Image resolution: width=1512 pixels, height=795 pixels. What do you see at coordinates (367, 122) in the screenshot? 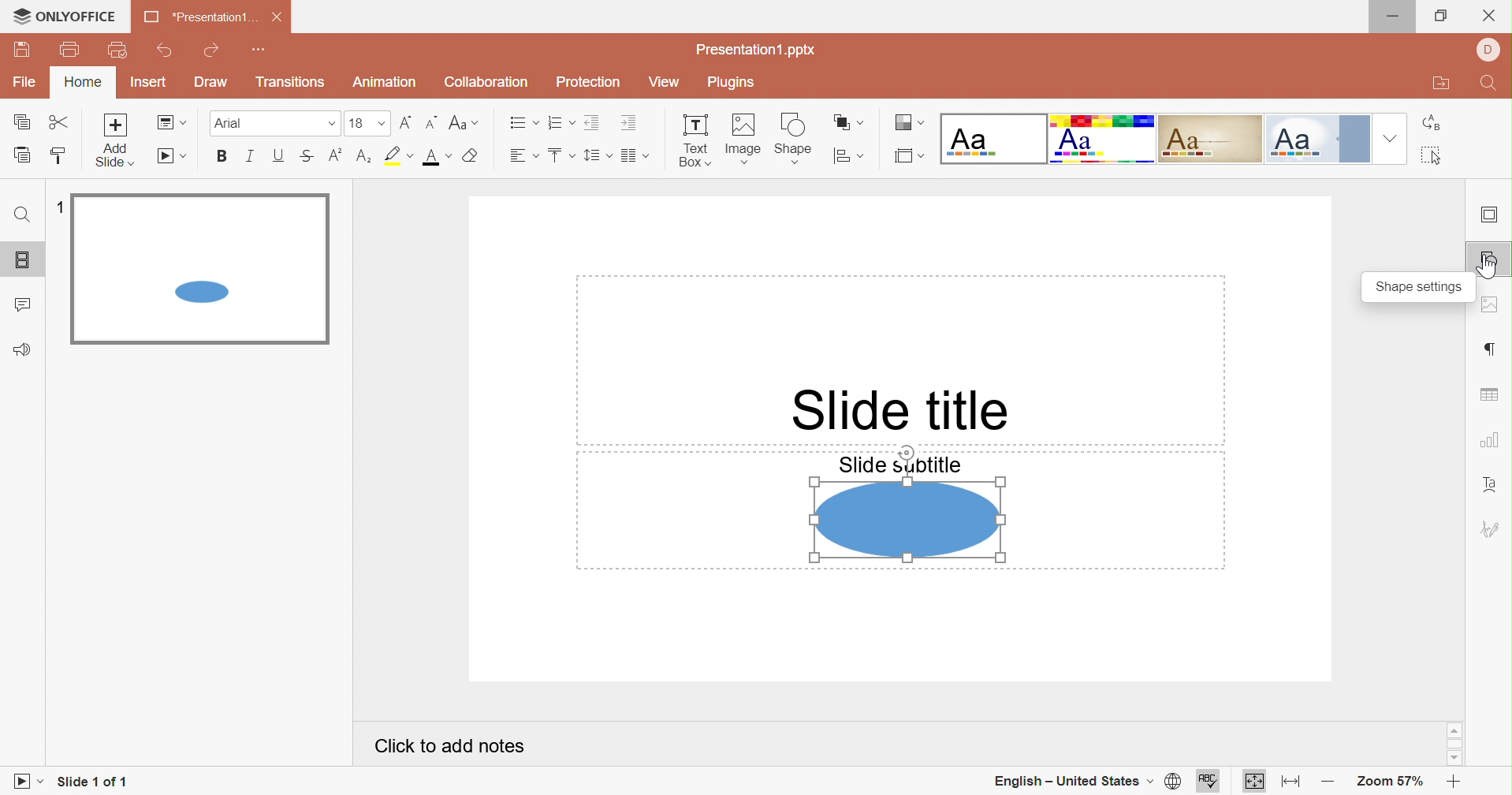
I see `Font size 18` at bounding box center [367, 122].